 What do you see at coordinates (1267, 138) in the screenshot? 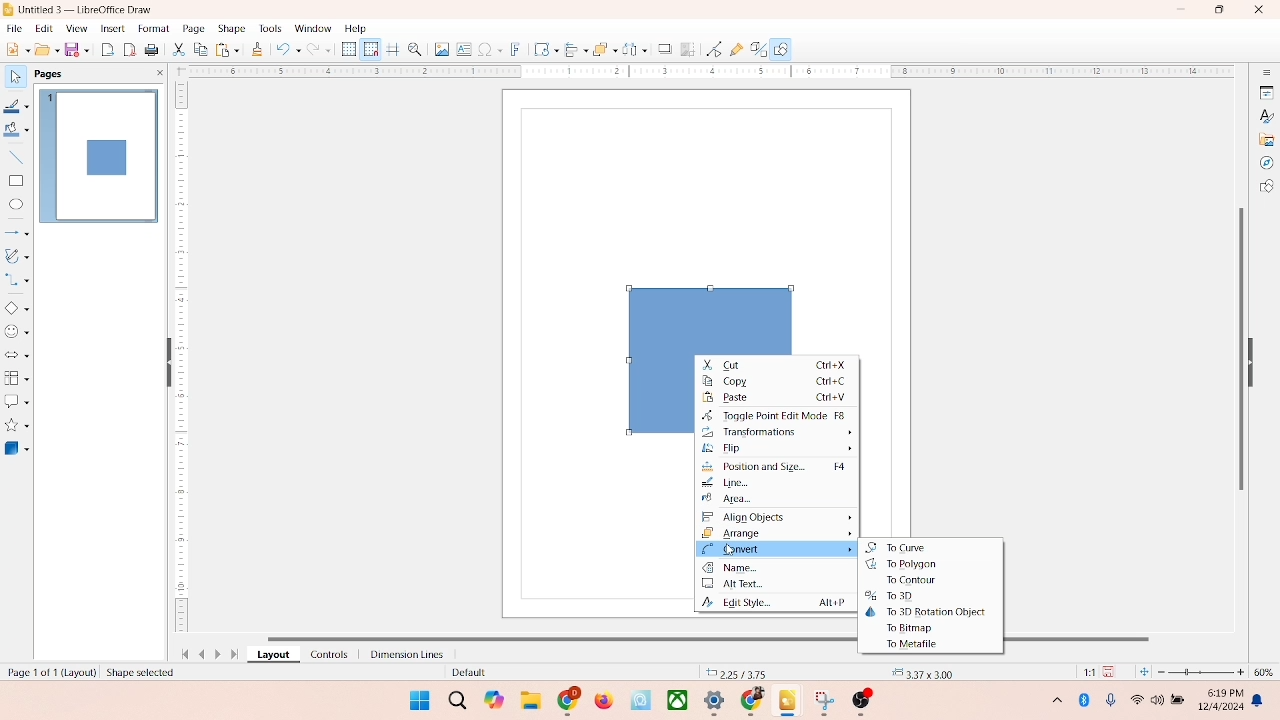
I see `gallery` at bounding box center [1267, 138].